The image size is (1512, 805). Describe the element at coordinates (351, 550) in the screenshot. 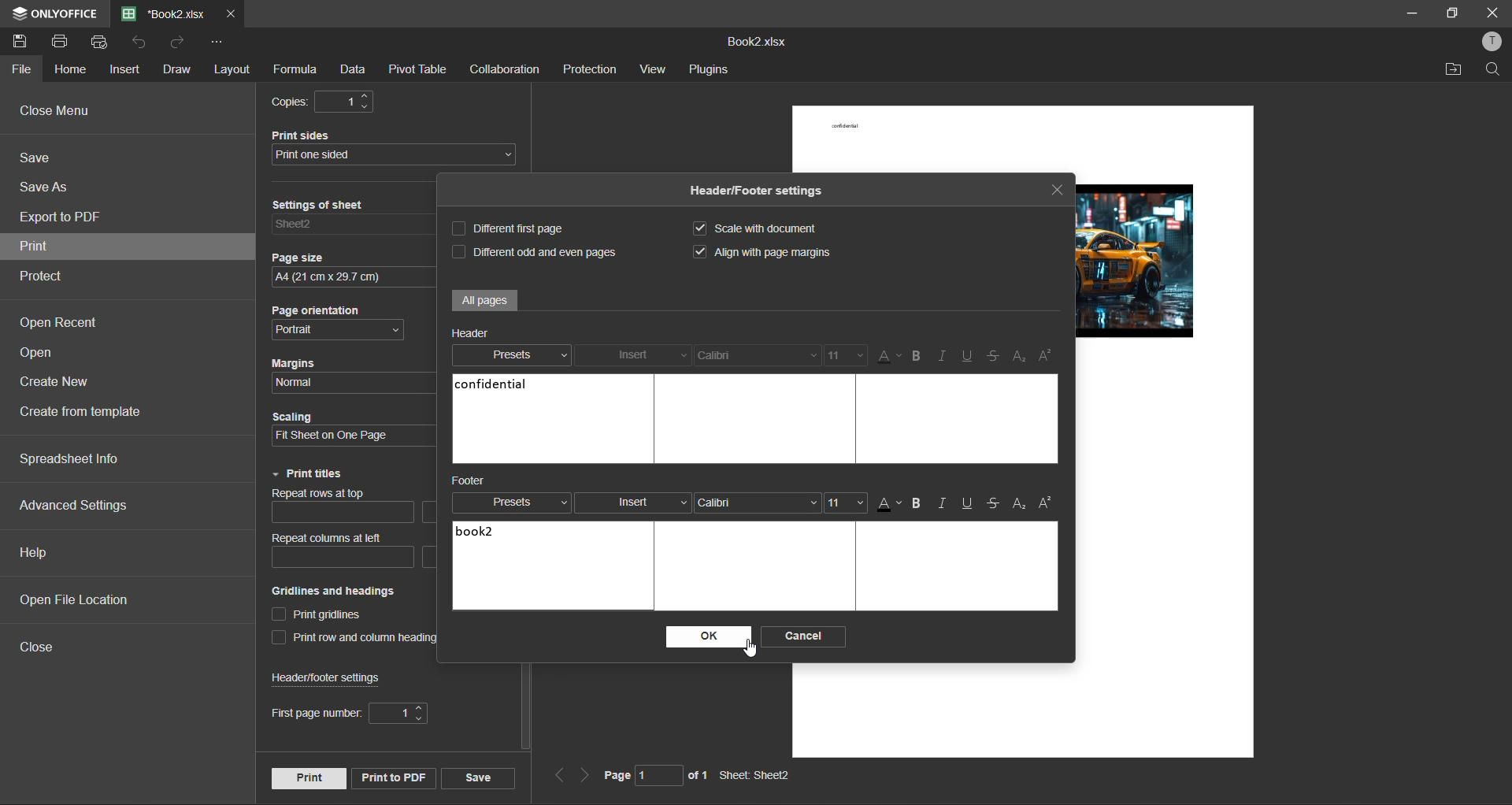

I see `repeat columns at left` at that location.